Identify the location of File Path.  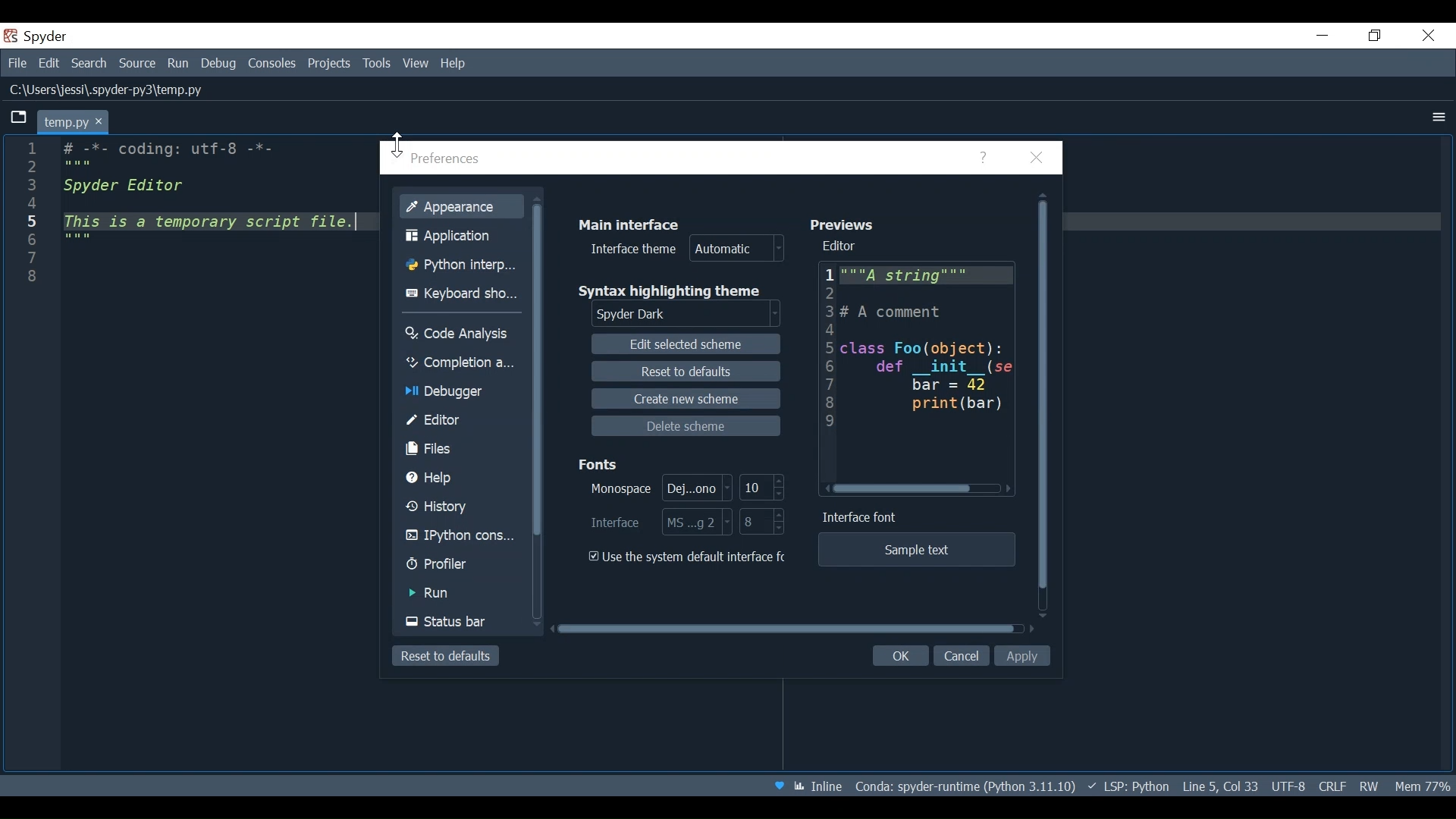
(111, 89).